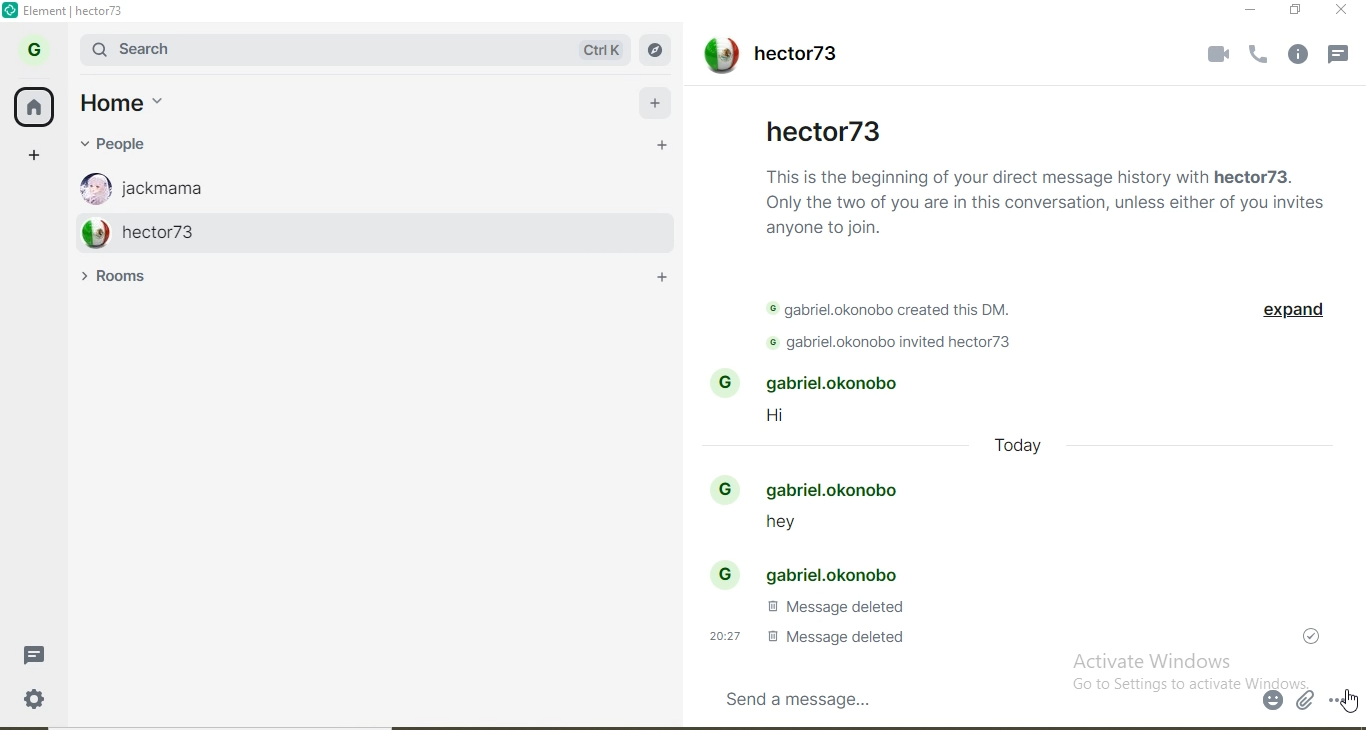 This screenshot has height=730, width=1366. What do you see at coordinates (137, 104) in the screenshot?
I see `home` at bounding box center [137, 104].